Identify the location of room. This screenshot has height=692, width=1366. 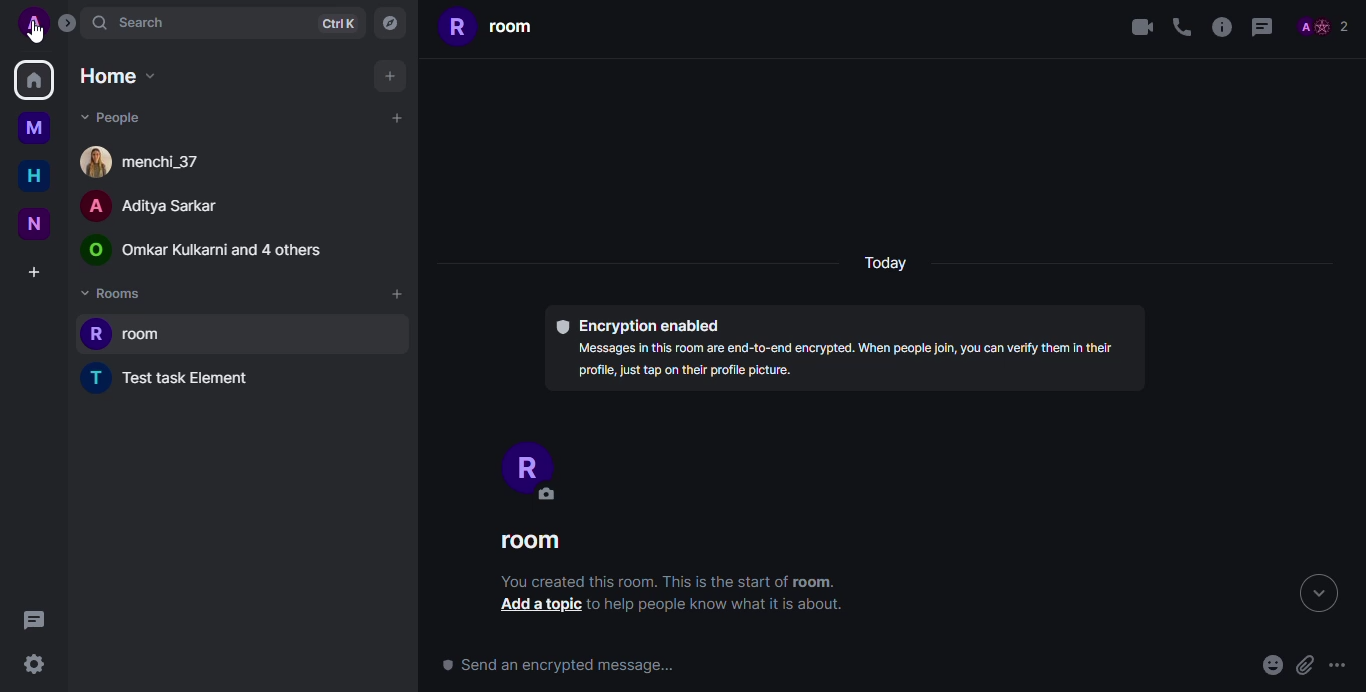
(534, 543).